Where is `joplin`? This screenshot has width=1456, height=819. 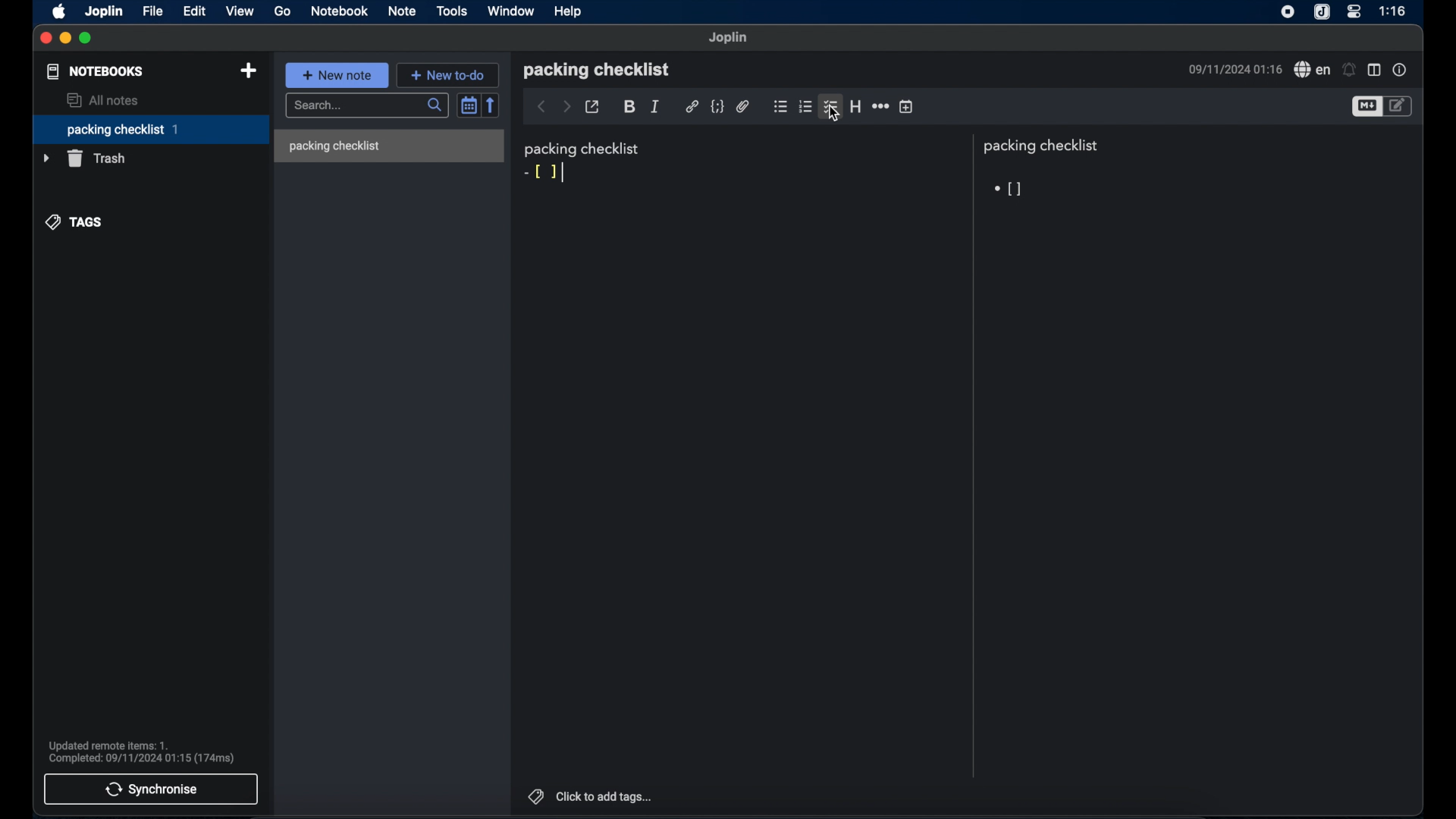 joplin is located at coordinates (105, 12).